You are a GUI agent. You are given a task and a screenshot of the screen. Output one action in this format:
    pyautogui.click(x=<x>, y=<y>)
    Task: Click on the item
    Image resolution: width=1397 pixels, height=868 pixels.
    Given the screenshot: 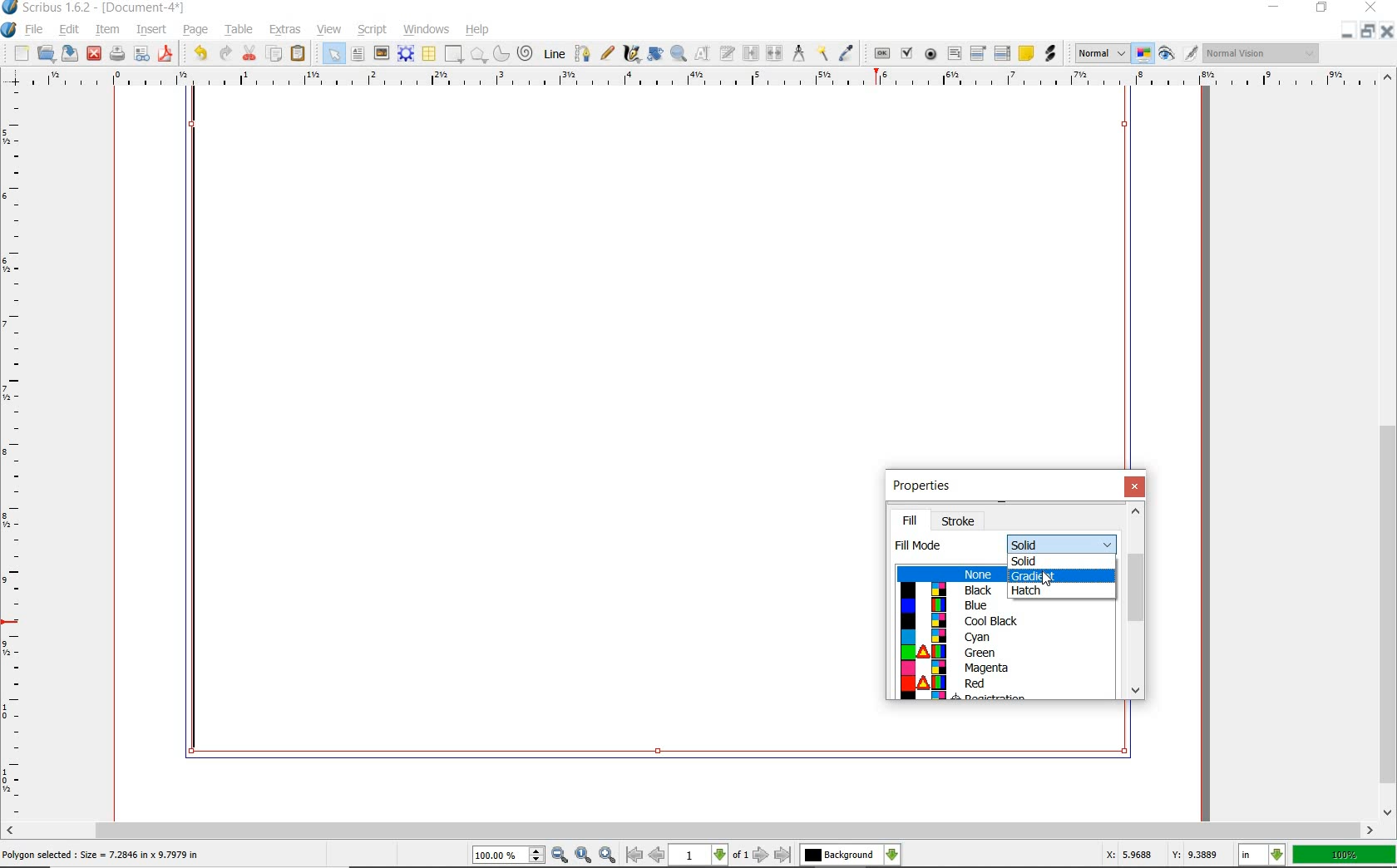 What is the action you would take?
    pyautogui.click(x=106, y=29)
    